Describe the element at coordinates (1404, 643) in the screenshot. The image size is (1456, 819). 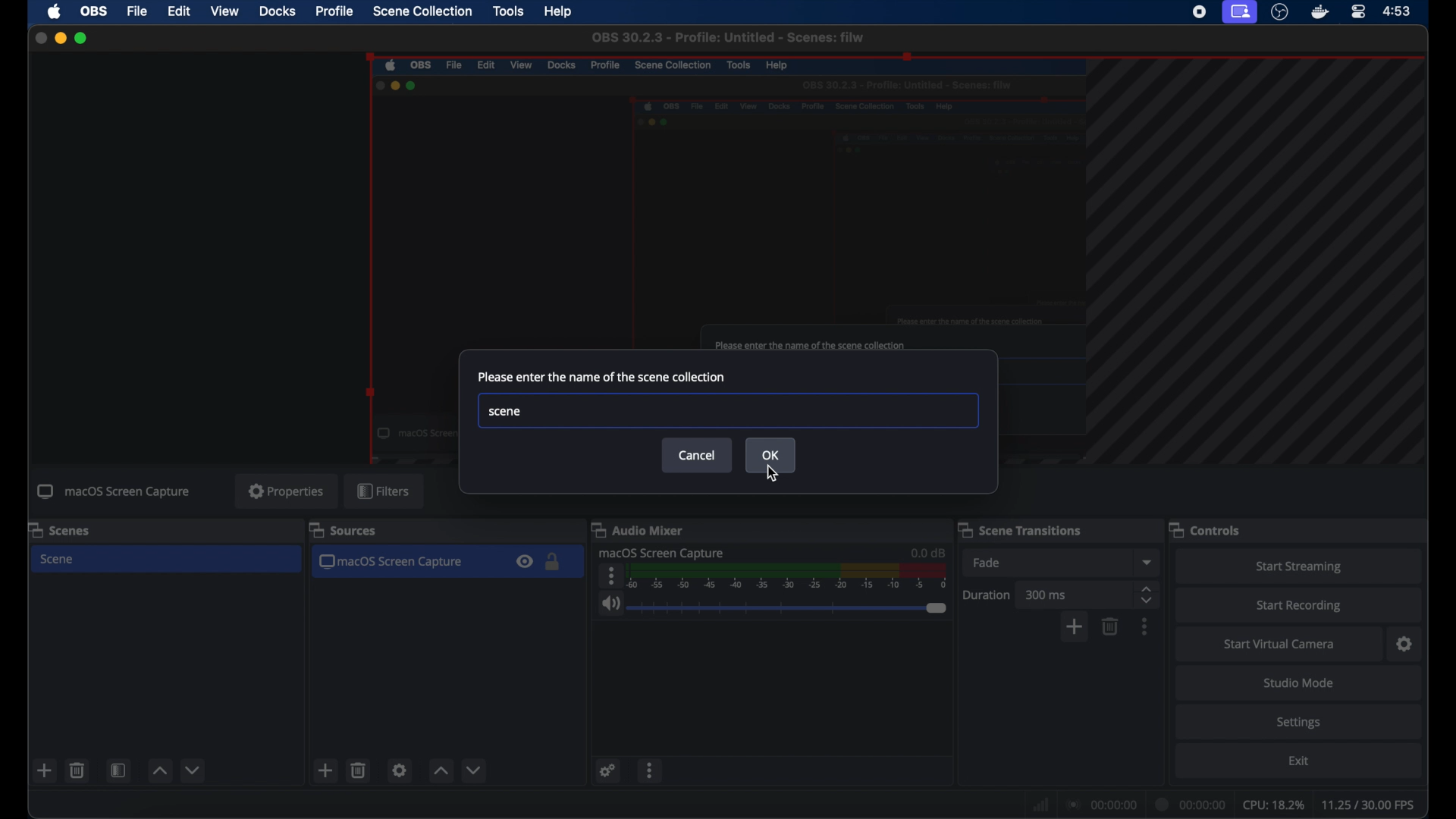
I see `settings` at that location.